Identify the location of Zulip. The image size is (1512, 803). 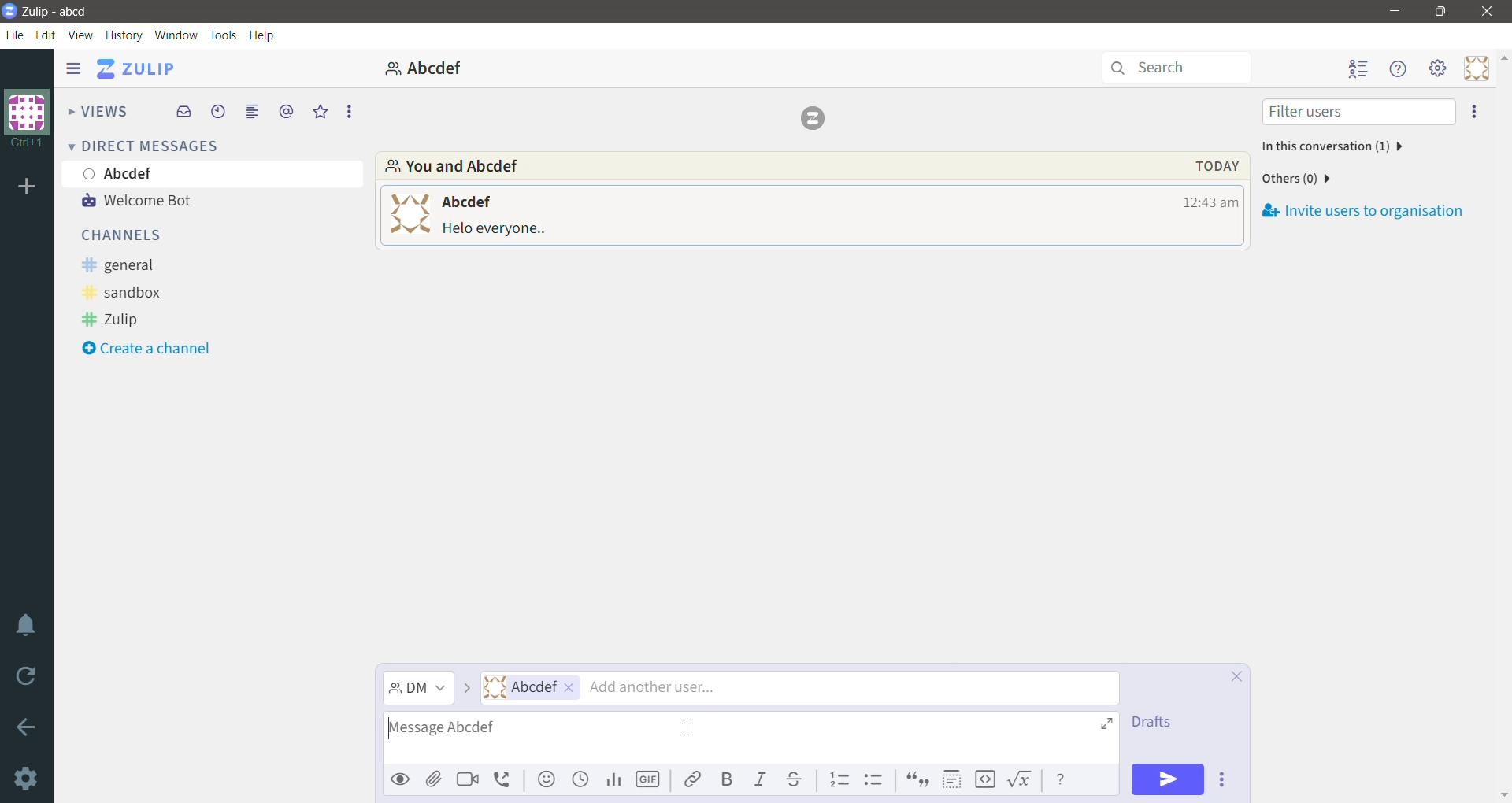
(115, 319).